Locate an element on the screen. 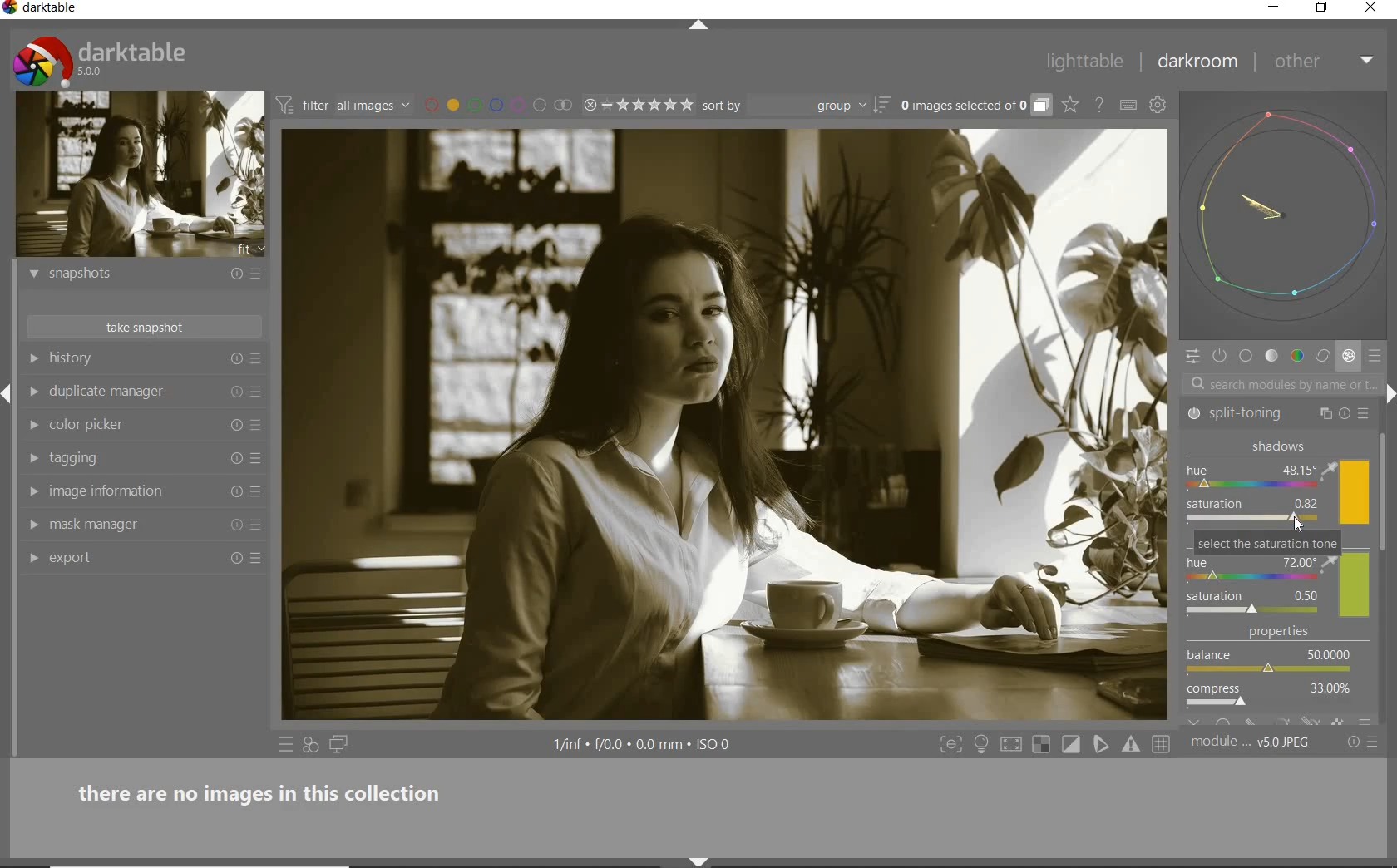  open online help is located at coordinates (1099, 104).